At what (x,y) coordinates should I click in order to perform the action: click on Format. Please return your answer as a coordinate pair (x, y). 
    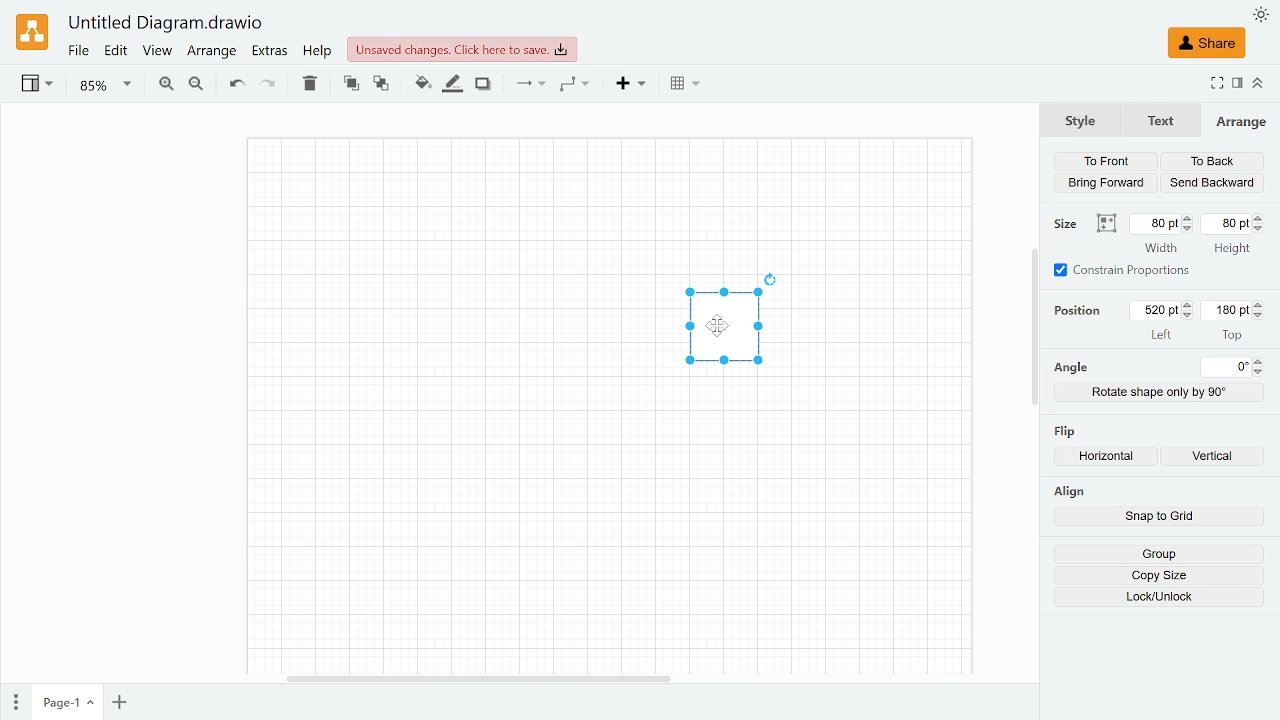
    Looking at the image, I should click on (1238, 84).